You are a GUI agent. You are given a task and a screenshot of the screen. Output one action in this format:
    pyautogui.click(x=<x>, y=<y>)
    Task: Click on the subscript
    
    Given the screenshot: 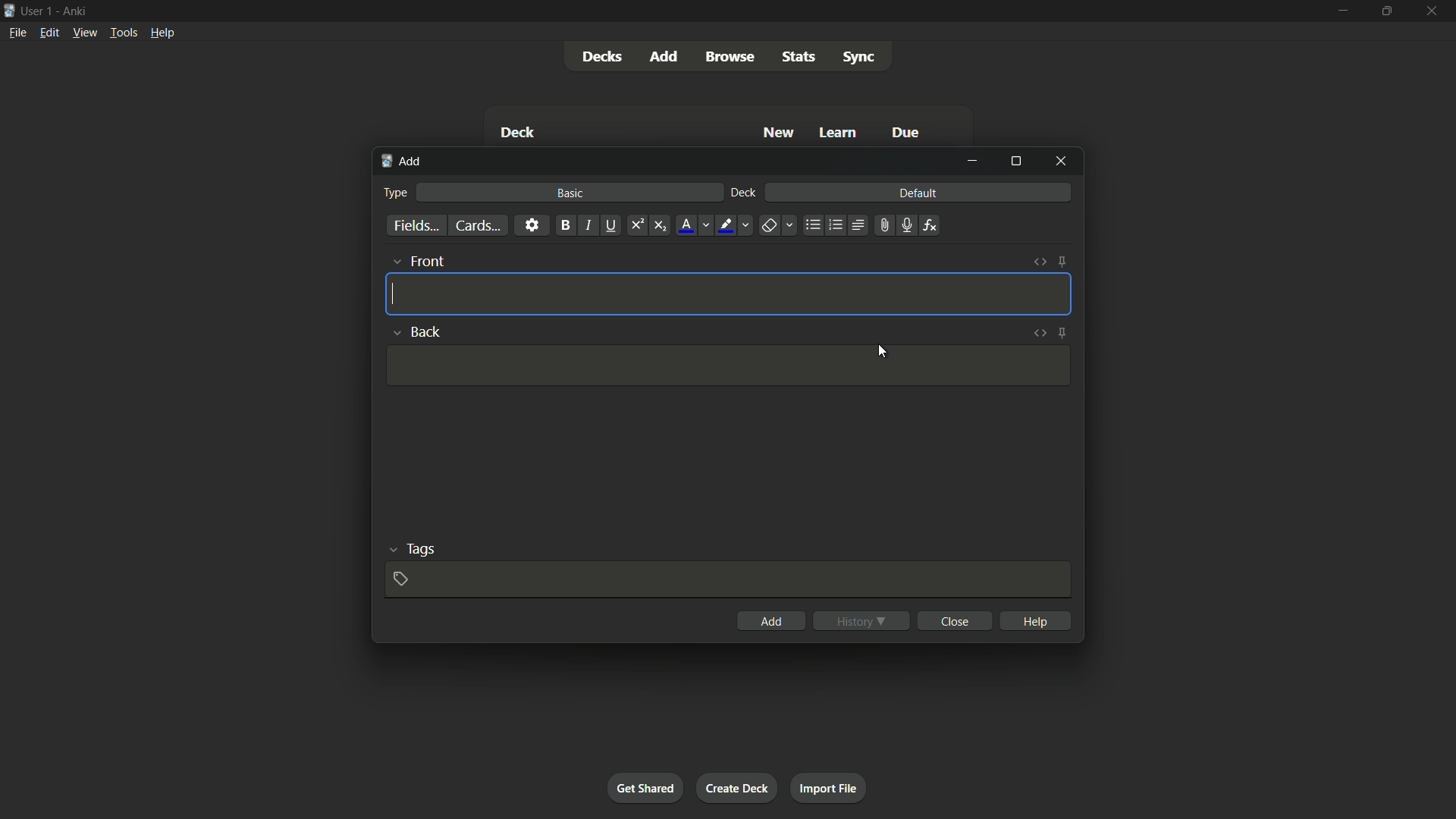 What is the action you would take?
    pyautogui.click(x=660, y=225)
    